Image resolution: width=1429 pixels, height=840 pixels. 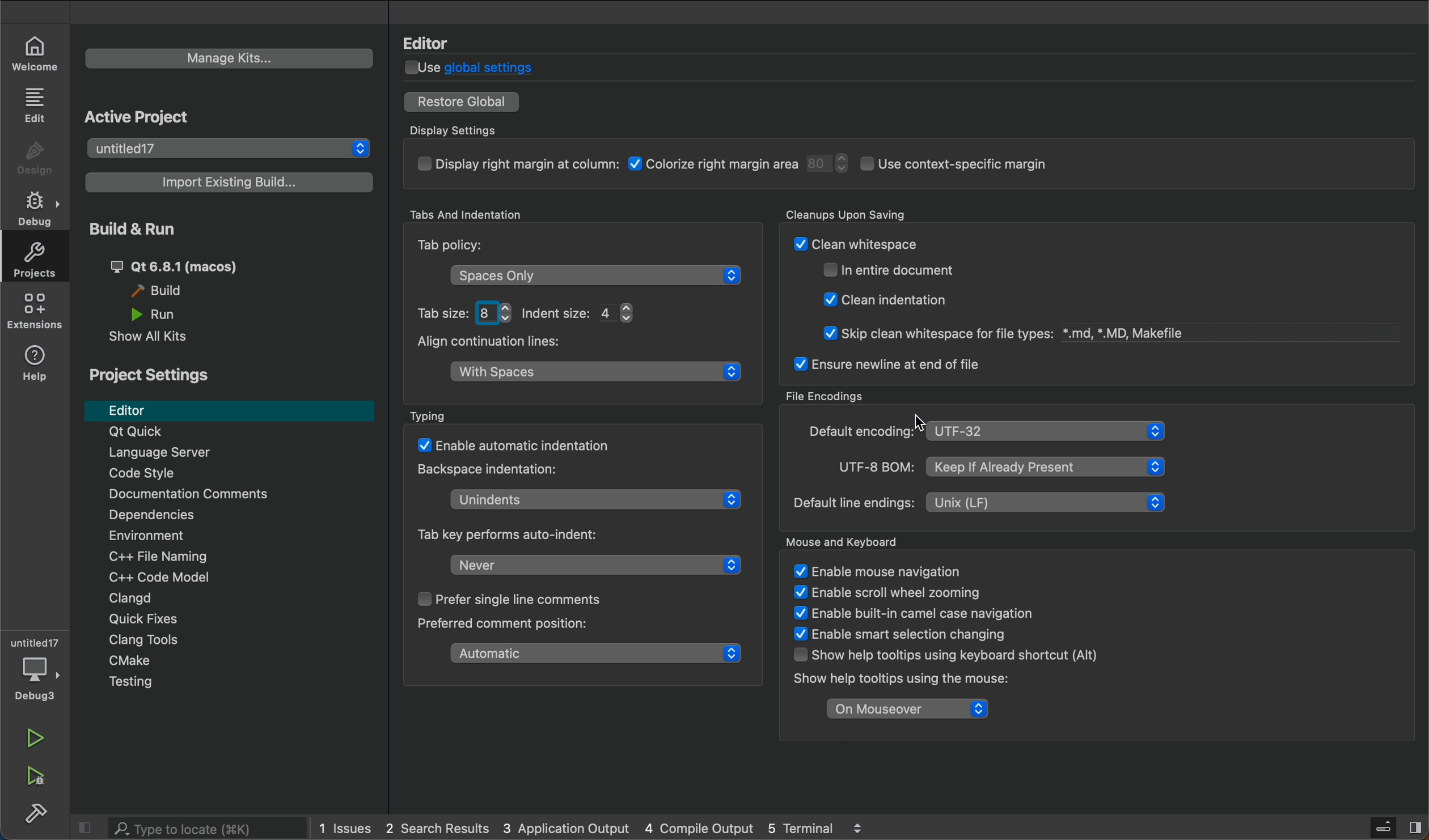 I want to click on debug, so click(x=40, y=210).